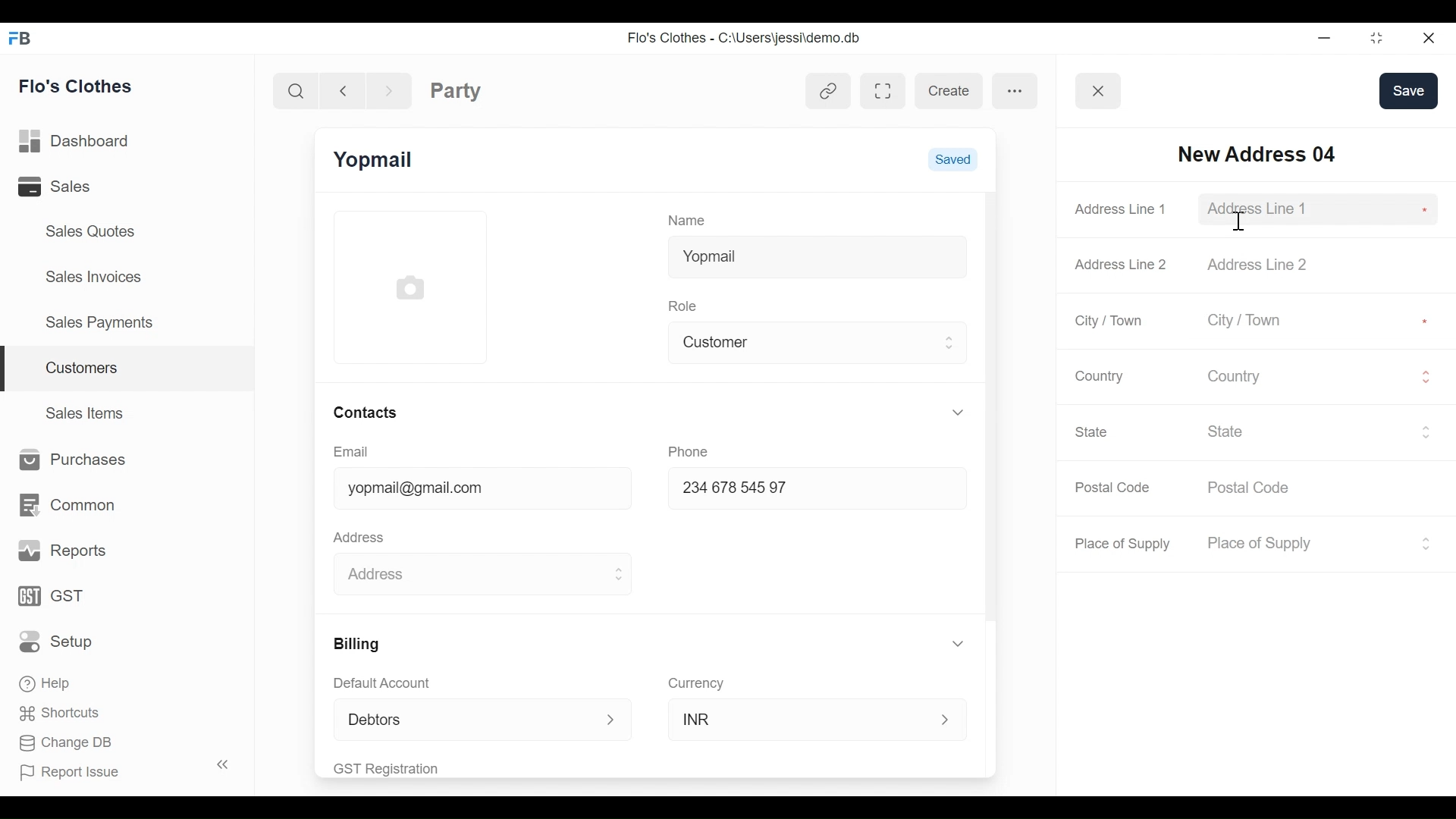 This screenshot has width=1456, height=819. What do you see at coordinates (96, 275) in the screenshot?
I see `Sales Invoices` at bounding box center [96, 275].